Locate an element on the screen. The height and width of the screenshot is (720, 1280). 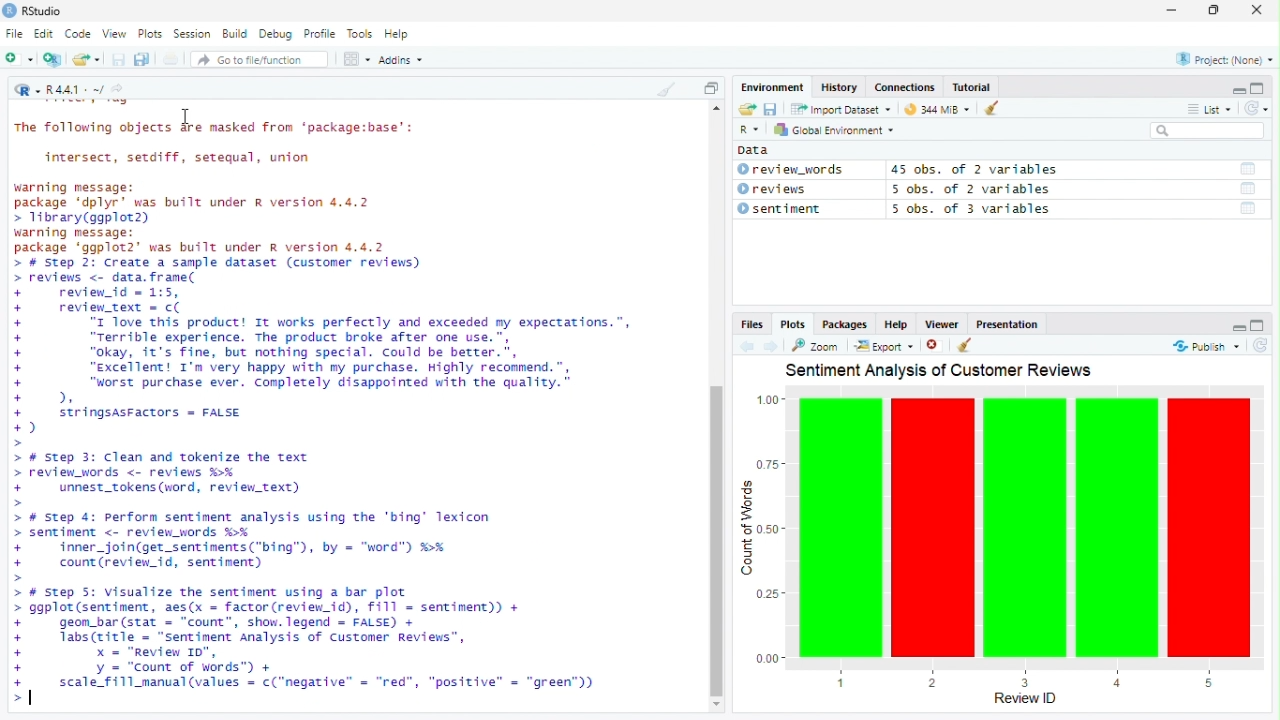
Packages is located at coordinates (845, 325).